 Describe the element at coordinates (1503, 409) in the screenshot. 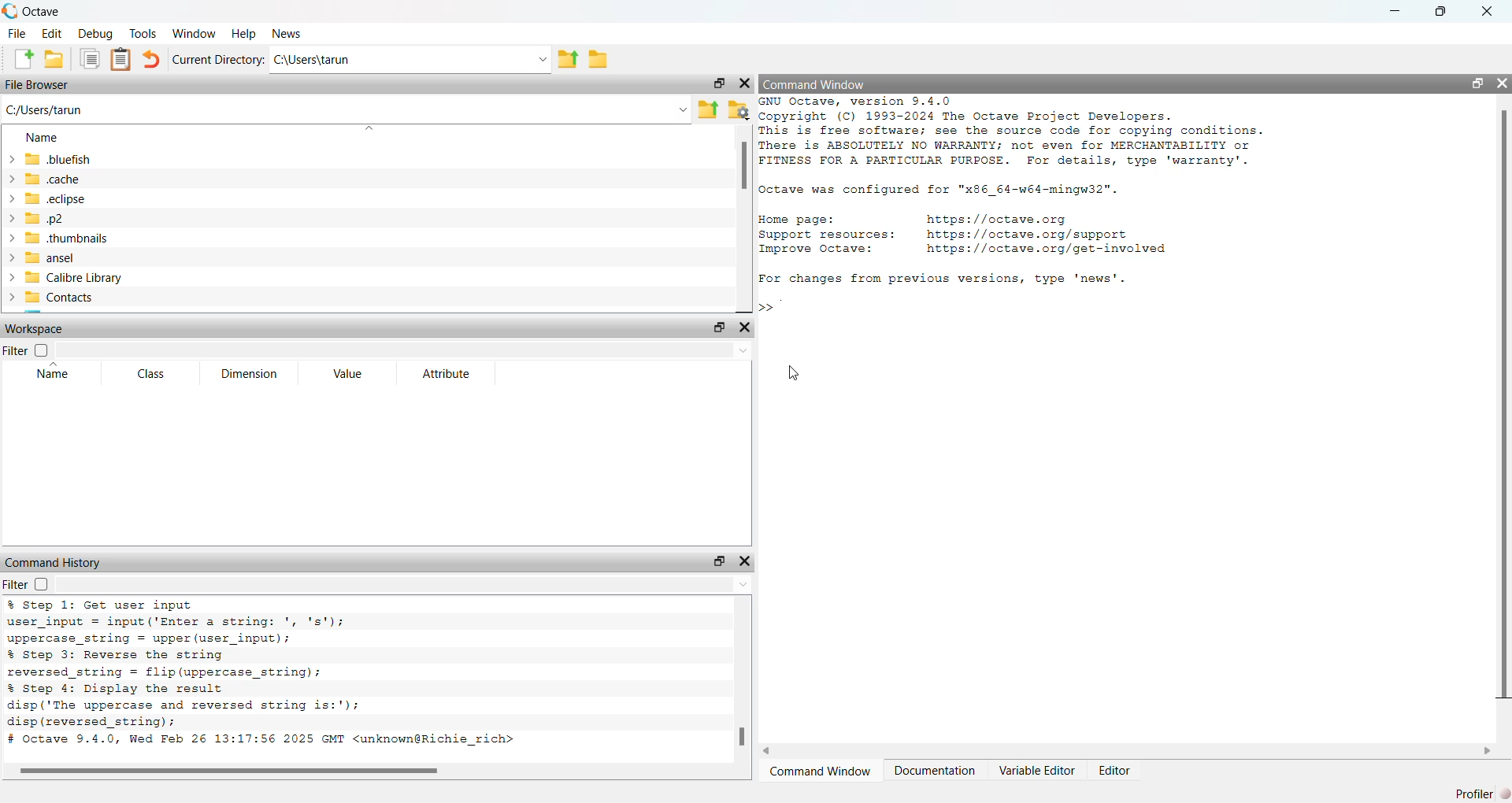

I see `scrollbar` at that location.